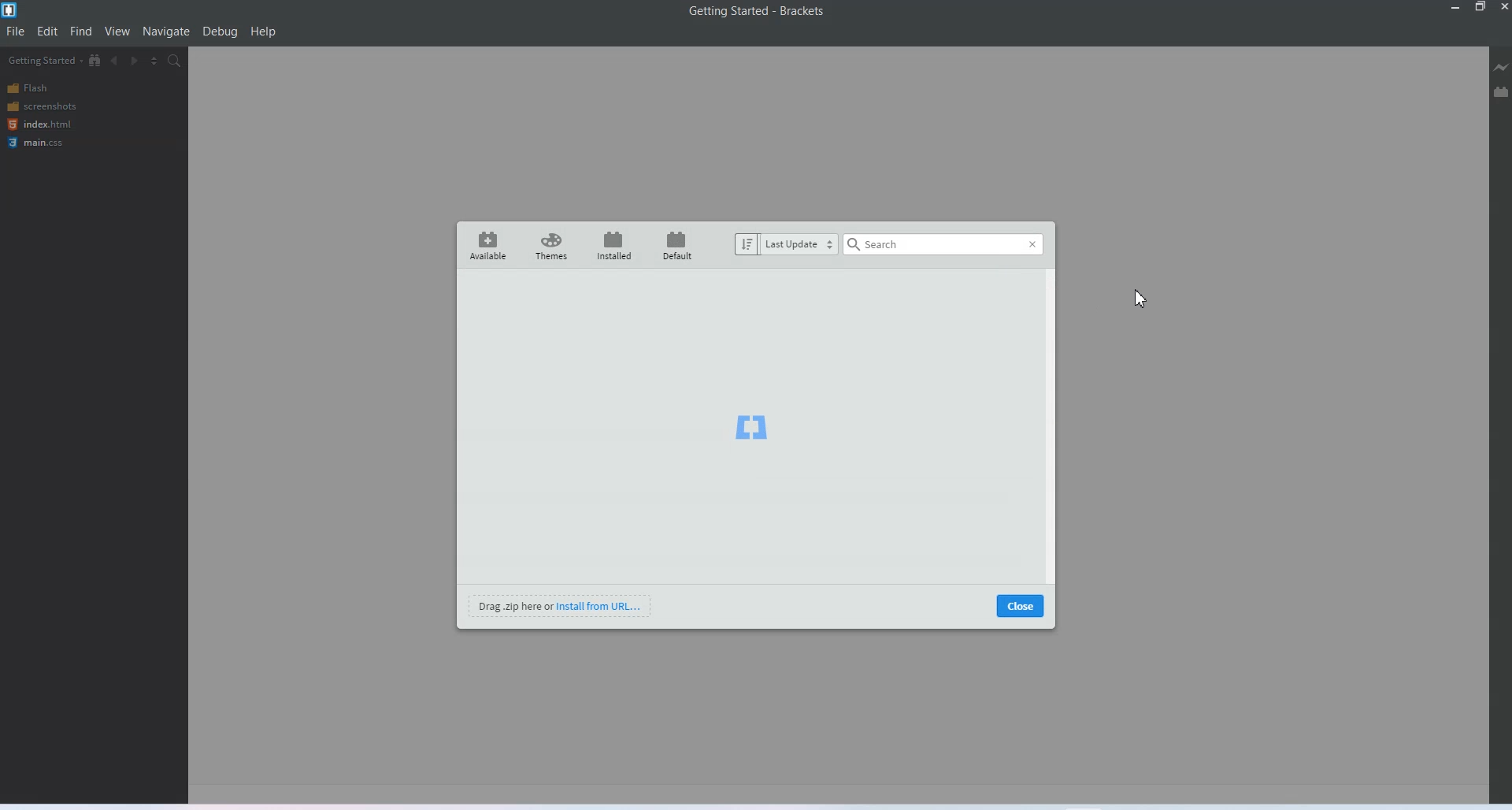  What do you see at coordinates (167, 32) in the screenshot?
I see `Navigate` at bounding box center [167, 32].